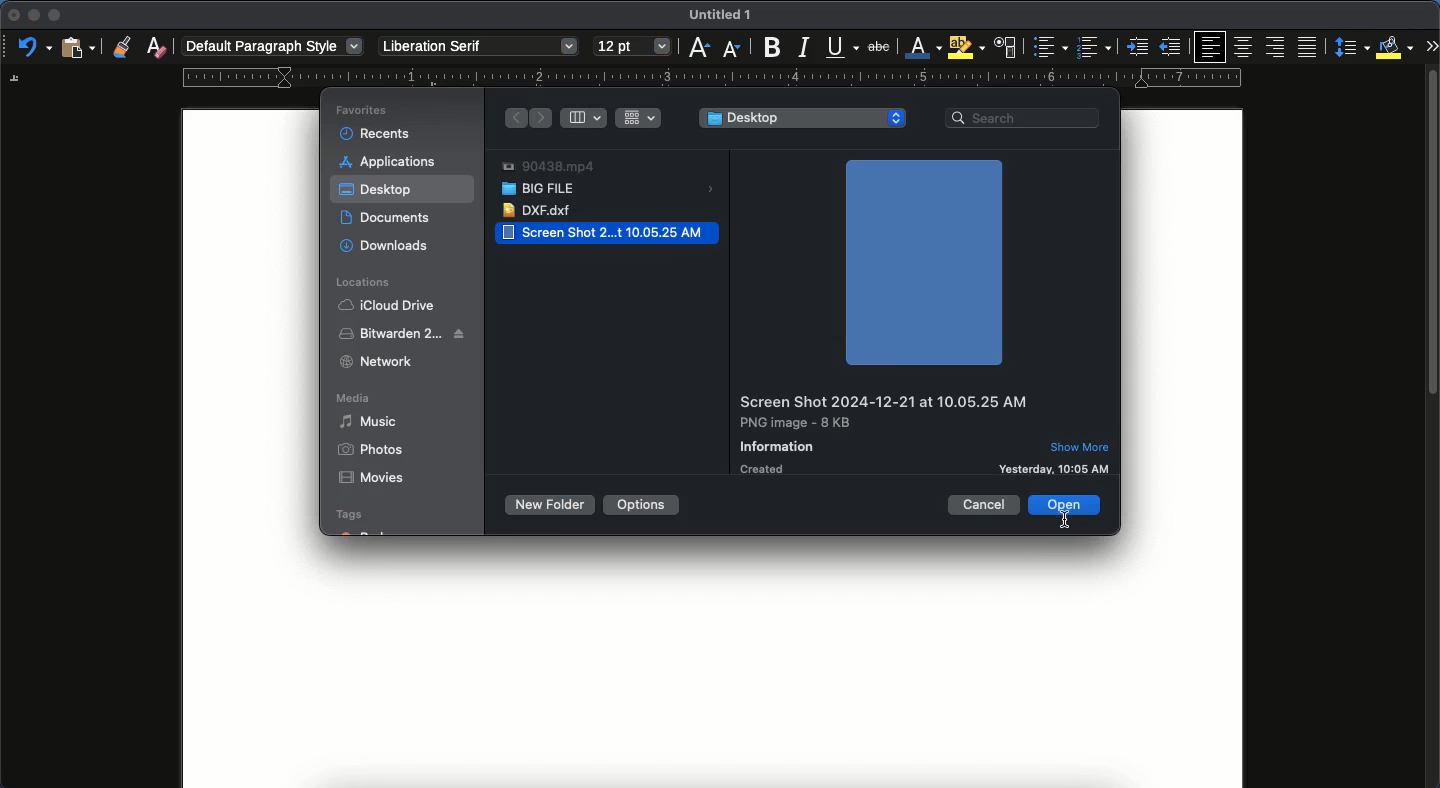  I want to click on right, so click(515, 118).